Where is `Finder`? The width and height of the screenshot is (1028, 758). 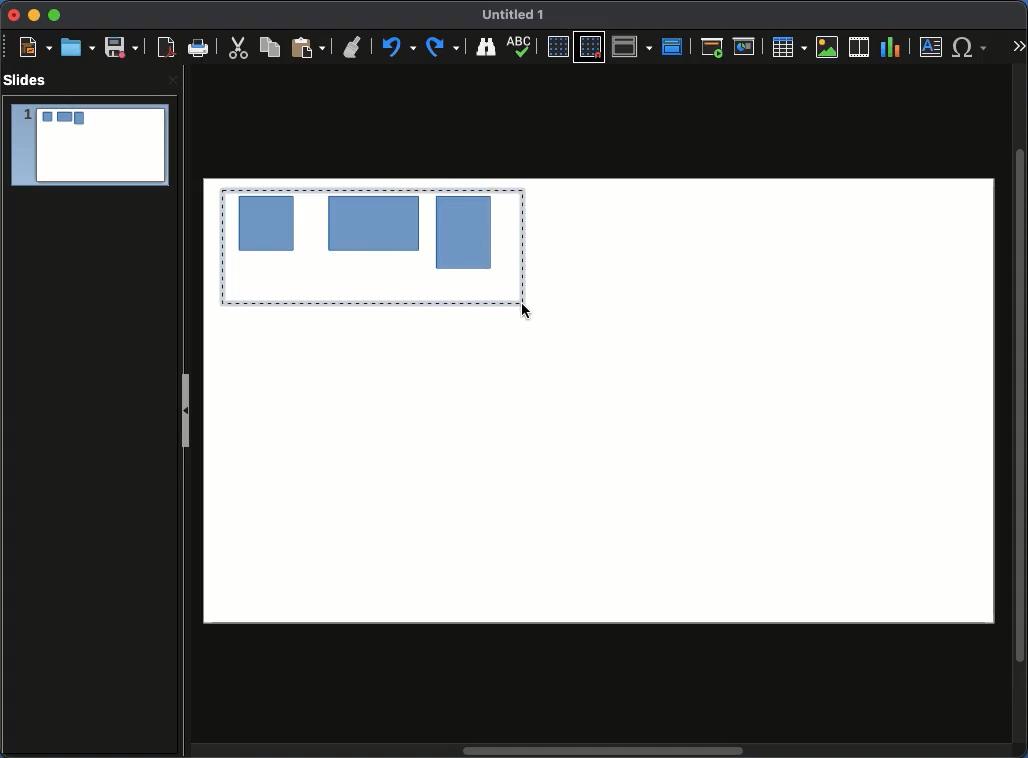
Finder is located at coordinates (487, 47).